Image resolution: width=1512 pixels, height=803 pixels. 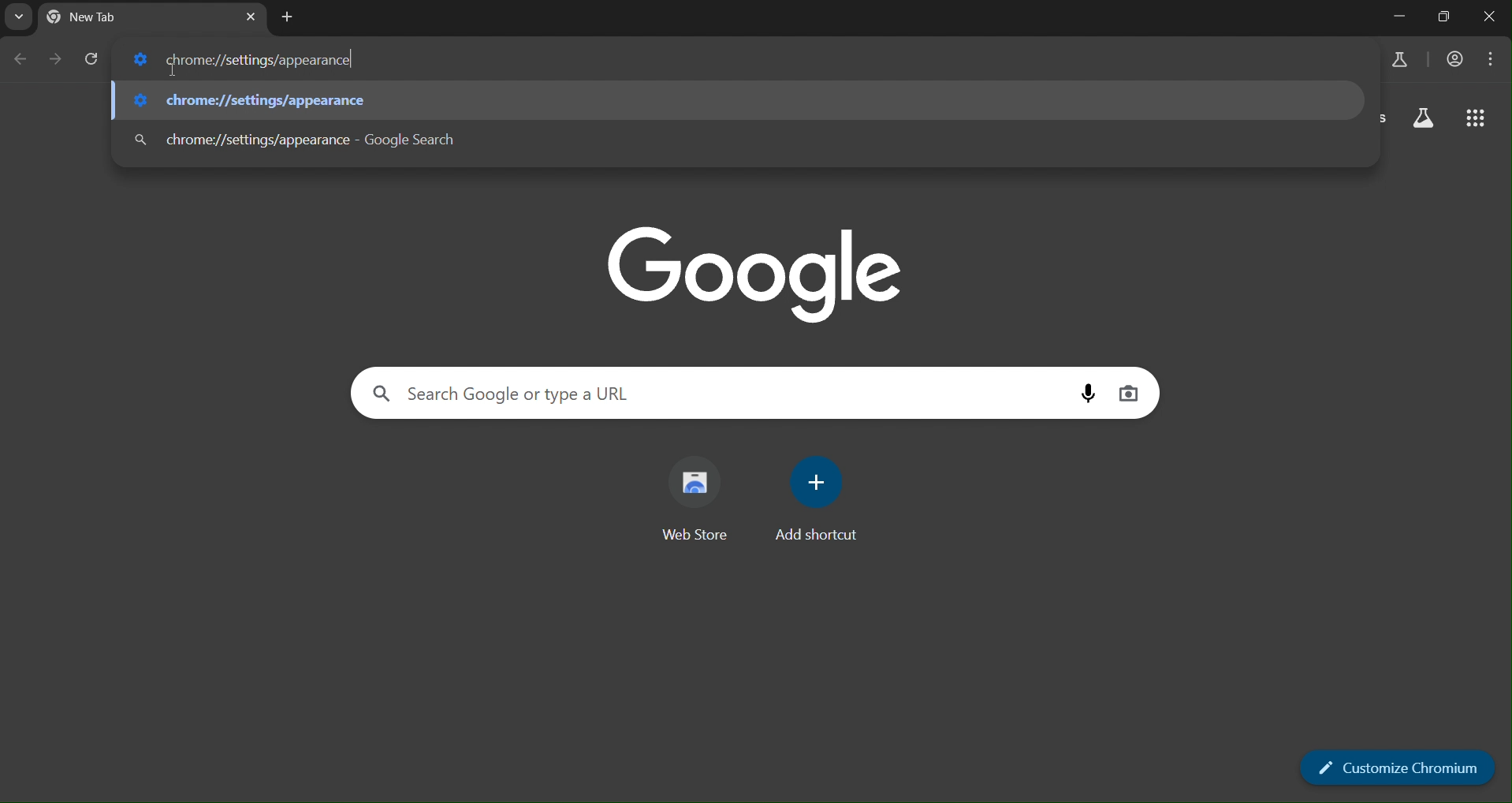 I want to click on close, so click(x=1490, y=18).